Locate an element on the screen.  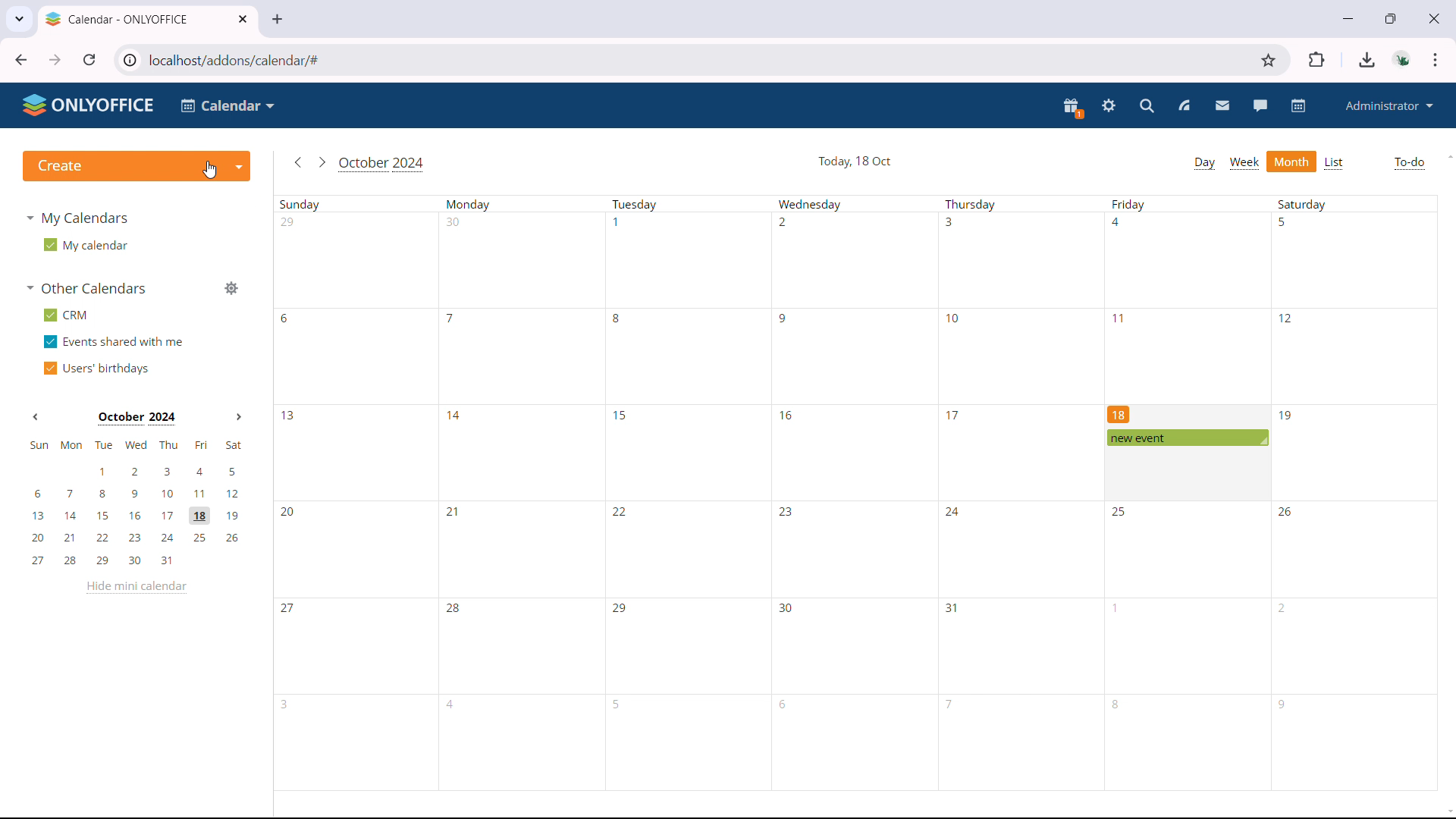
customize & control is located at coordinates (1436, 60).